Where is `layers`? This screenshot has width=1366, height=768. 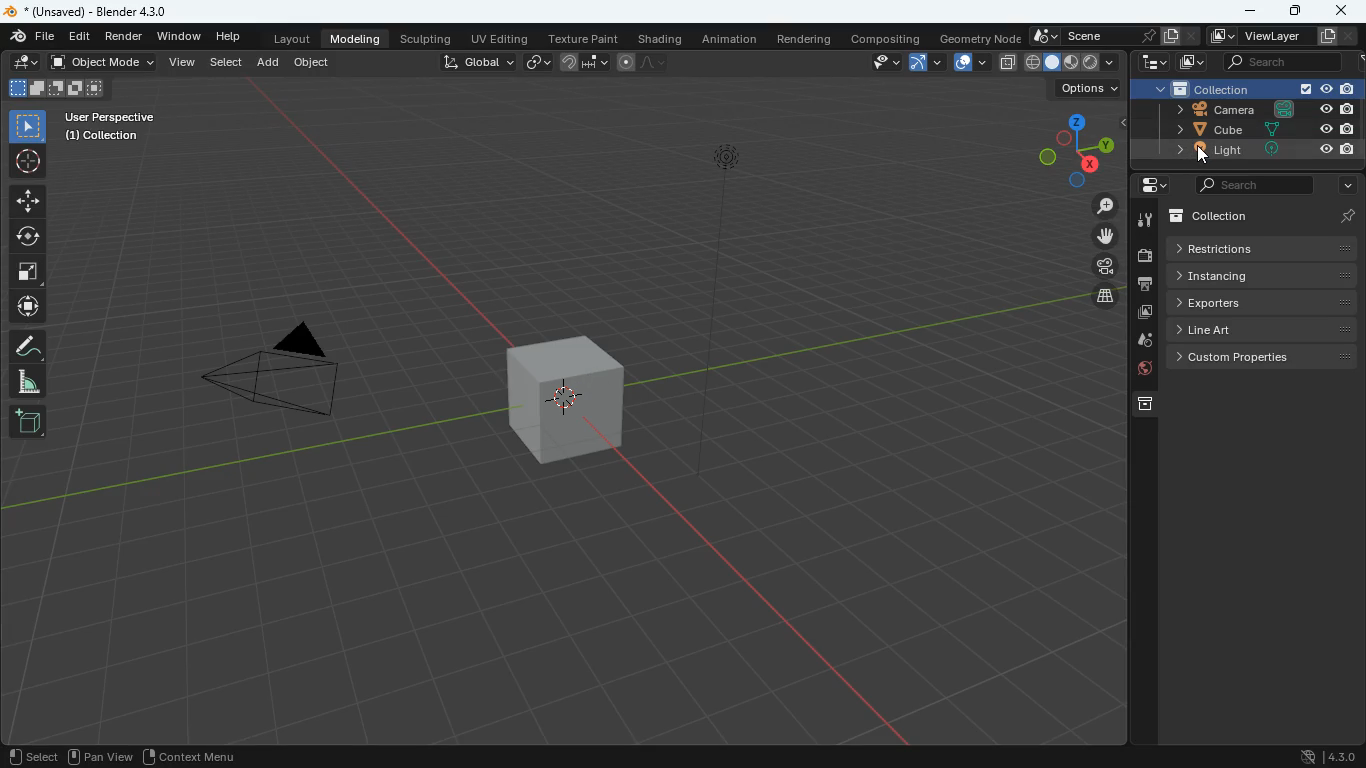 layers is located at coordinates (1106, 298).